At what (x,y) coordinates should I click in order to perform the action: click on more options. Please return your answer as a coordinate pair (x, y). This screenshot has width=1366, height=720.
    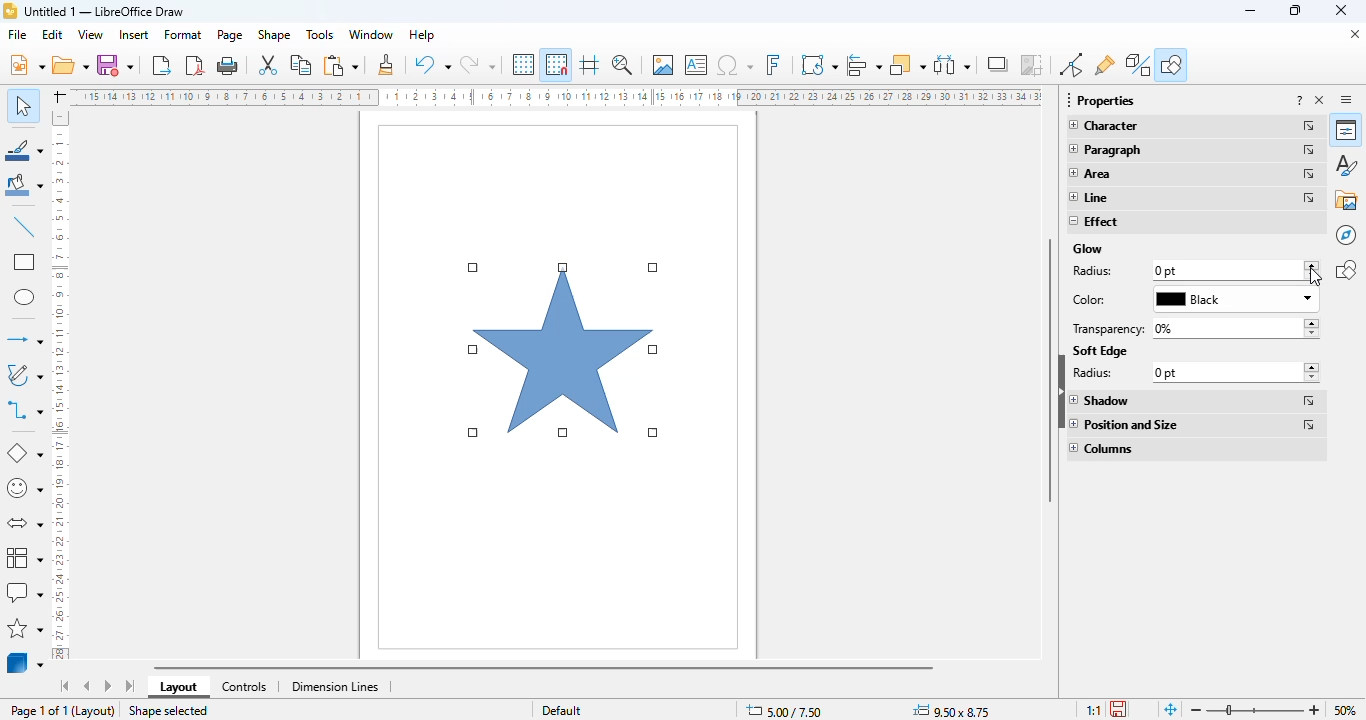
    Looking at the image, I should click on (1310, 424).